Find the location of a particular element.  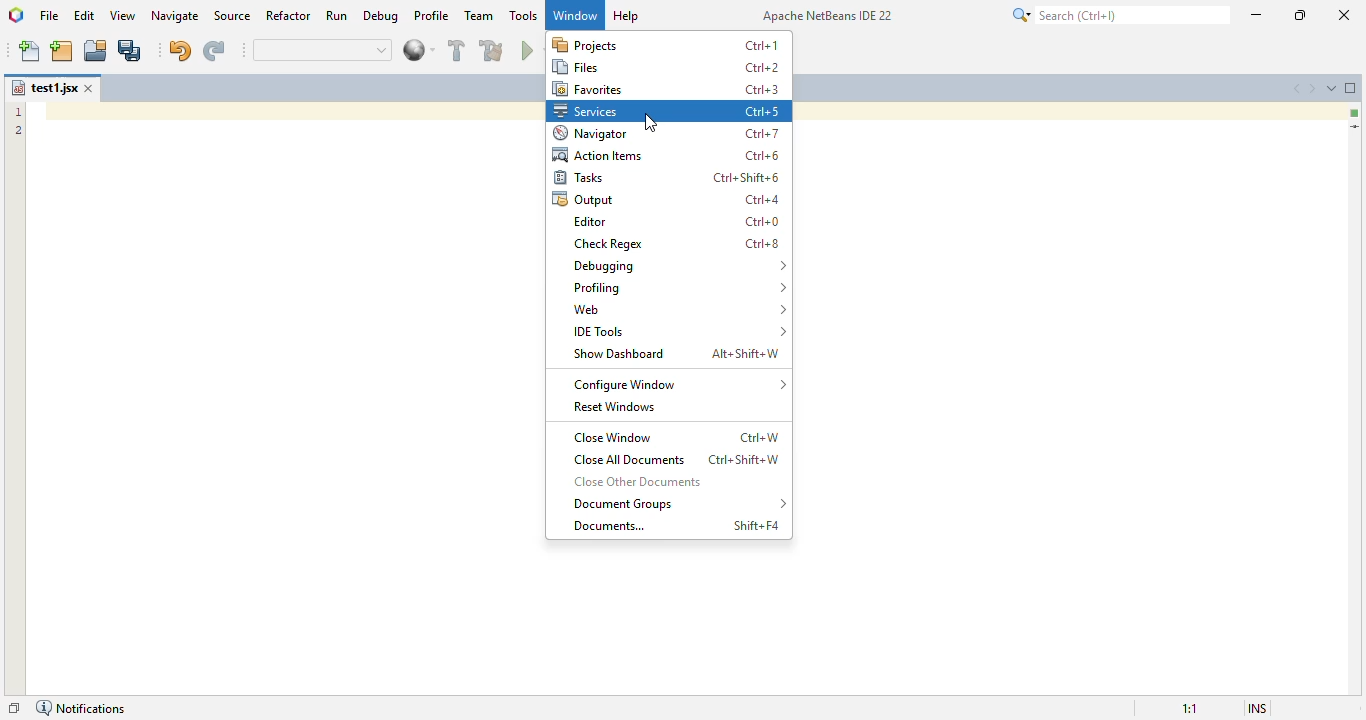

services is located at coordinates (587, 111).